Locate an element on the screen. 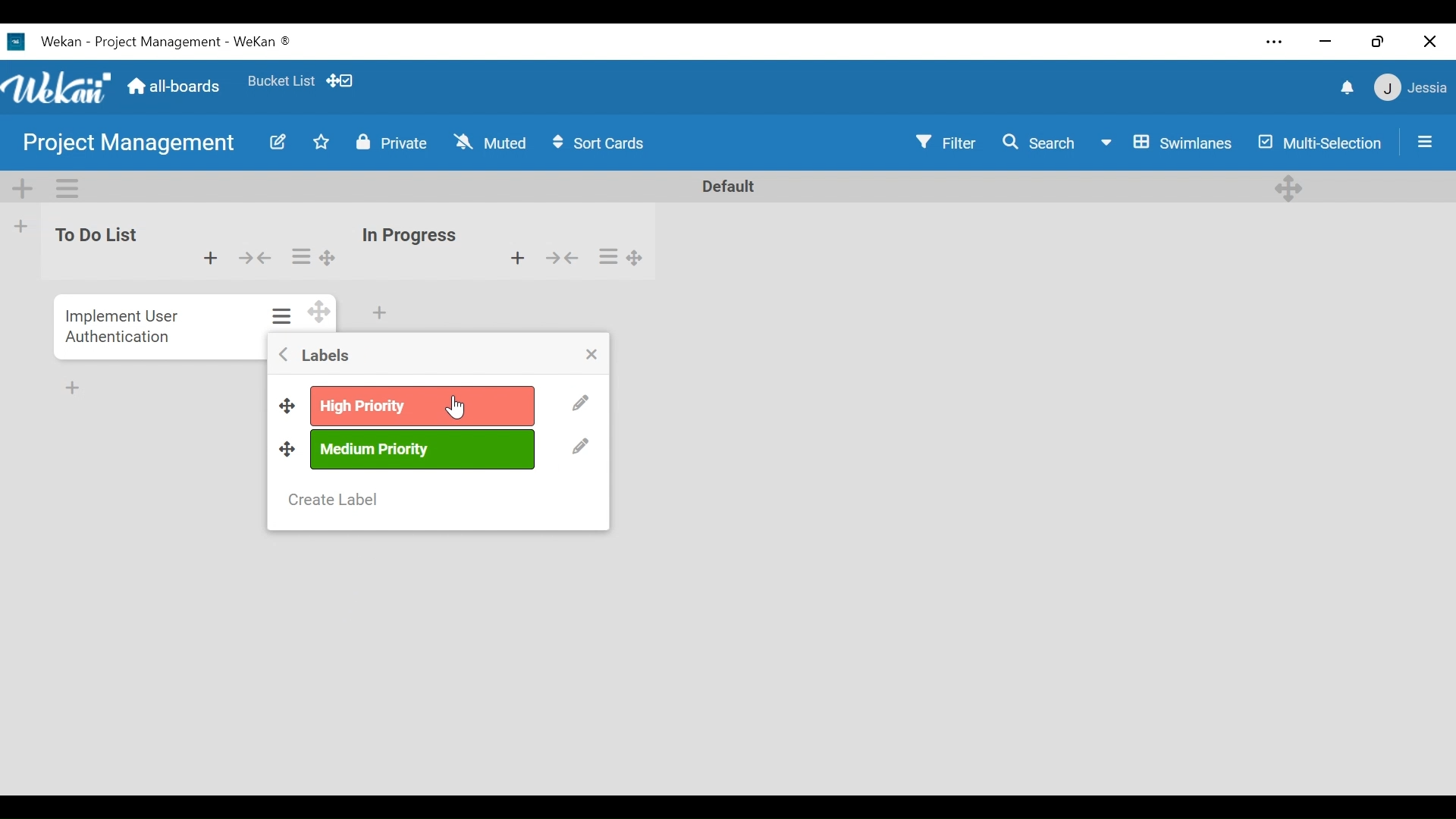 The image size is (1456, 819). open/close side pane is located at coordinates (1426, 142).